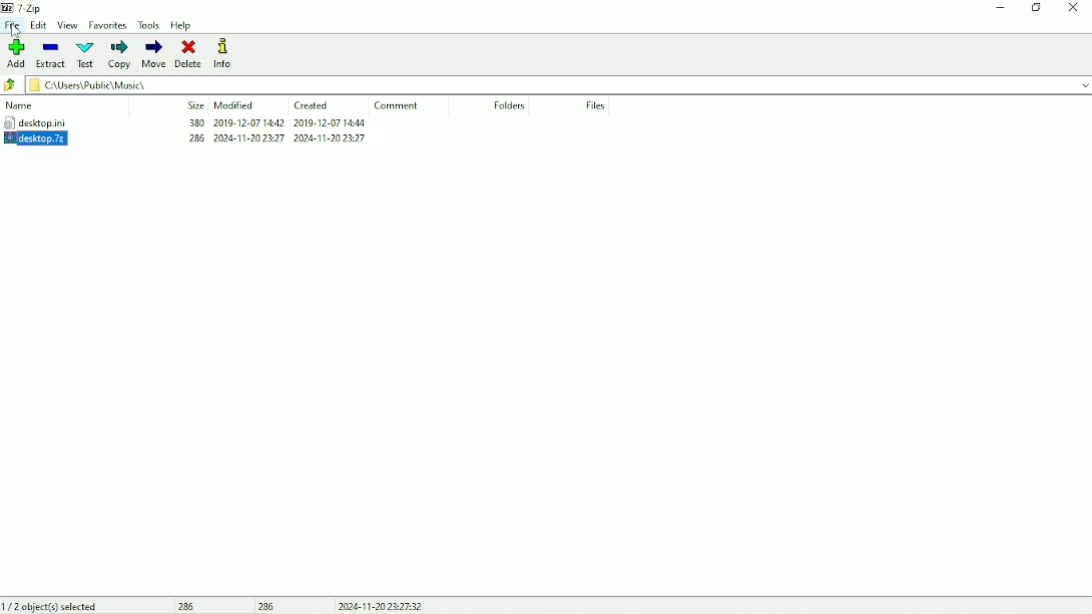  Describe the element at coordinates (188, 606) in the screenshot. I see `286` at that location.